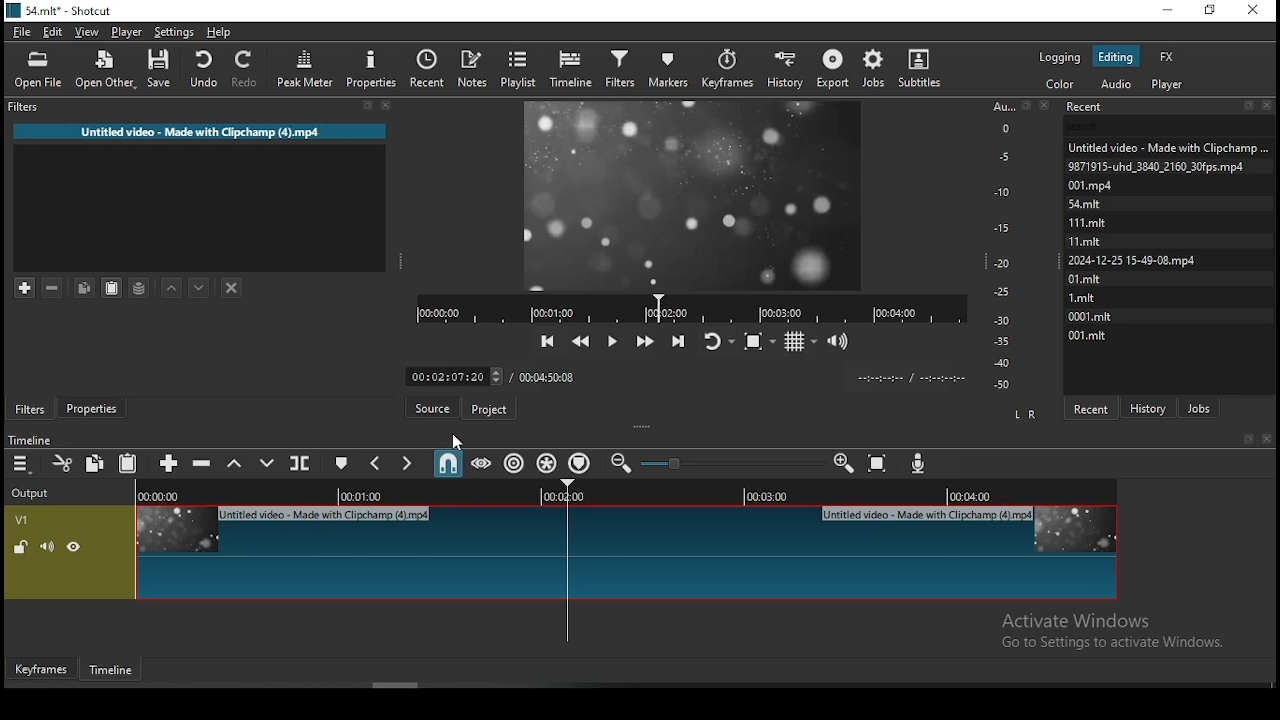 The height and width of the screenshot is (720, 1280). Describe the element at coordinates (1210, 10) in the screenshot. I see `restore` at that location.